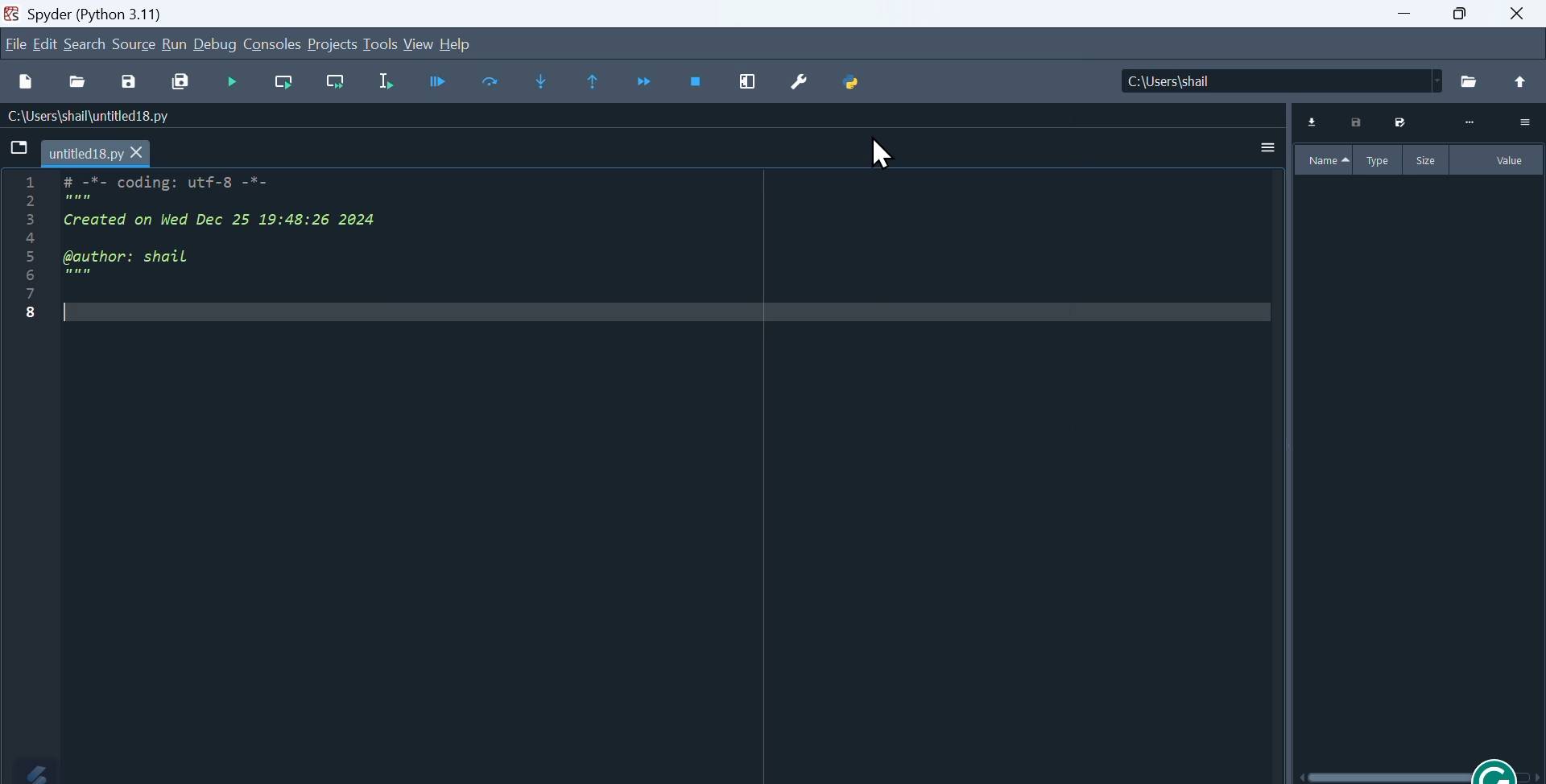 The image size is (1546, 784). What do you see at coordinates (251, 246) in the screenshot?
I see `code` at bounding box center [251, 246].